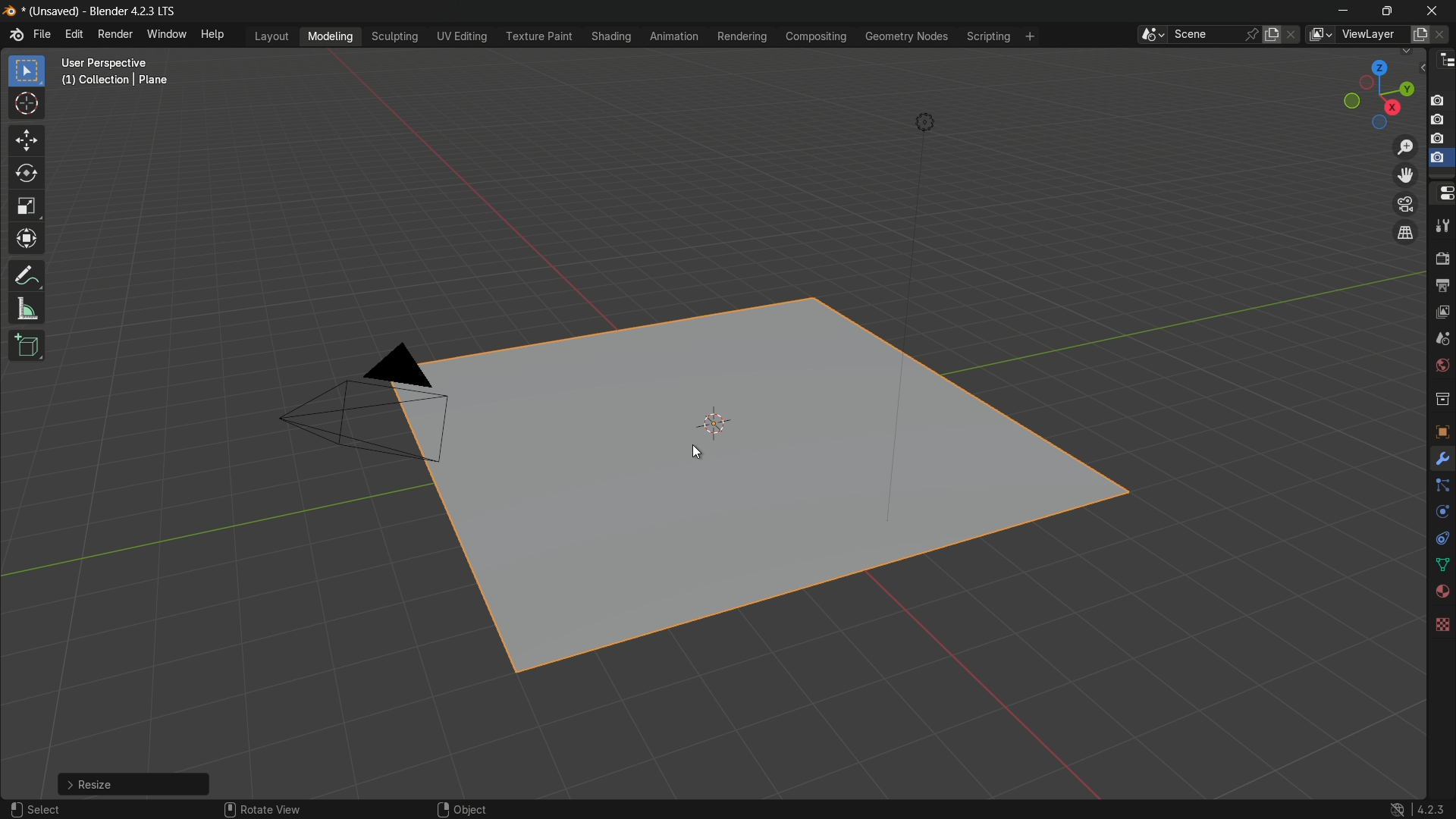  Describe the element at coordinates (14, 37) in the screenshot. I see `logo` at that location.